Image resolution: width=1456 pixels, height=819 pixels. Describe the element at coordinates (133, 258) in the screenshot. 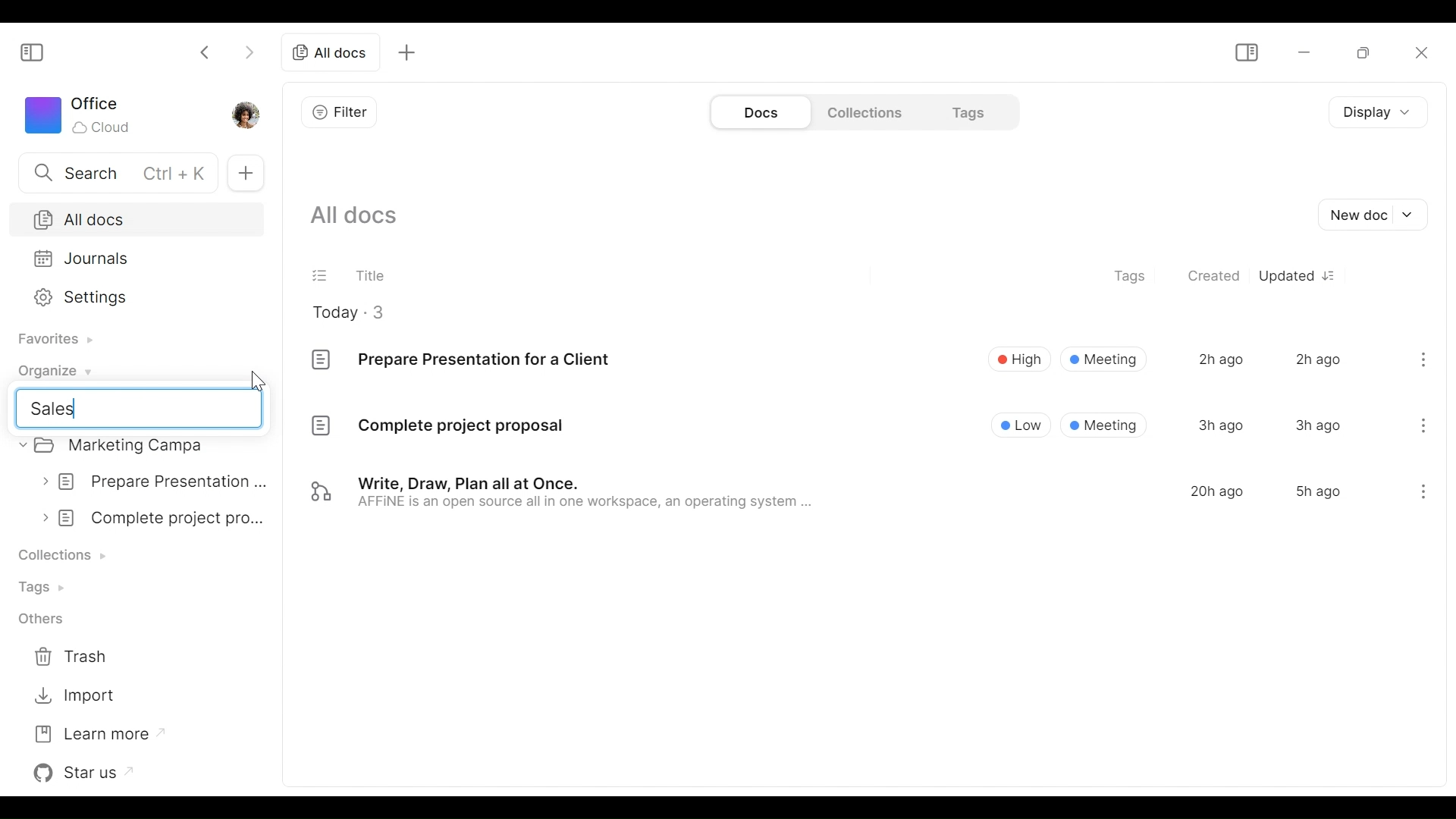

I see `Journals` at that location.